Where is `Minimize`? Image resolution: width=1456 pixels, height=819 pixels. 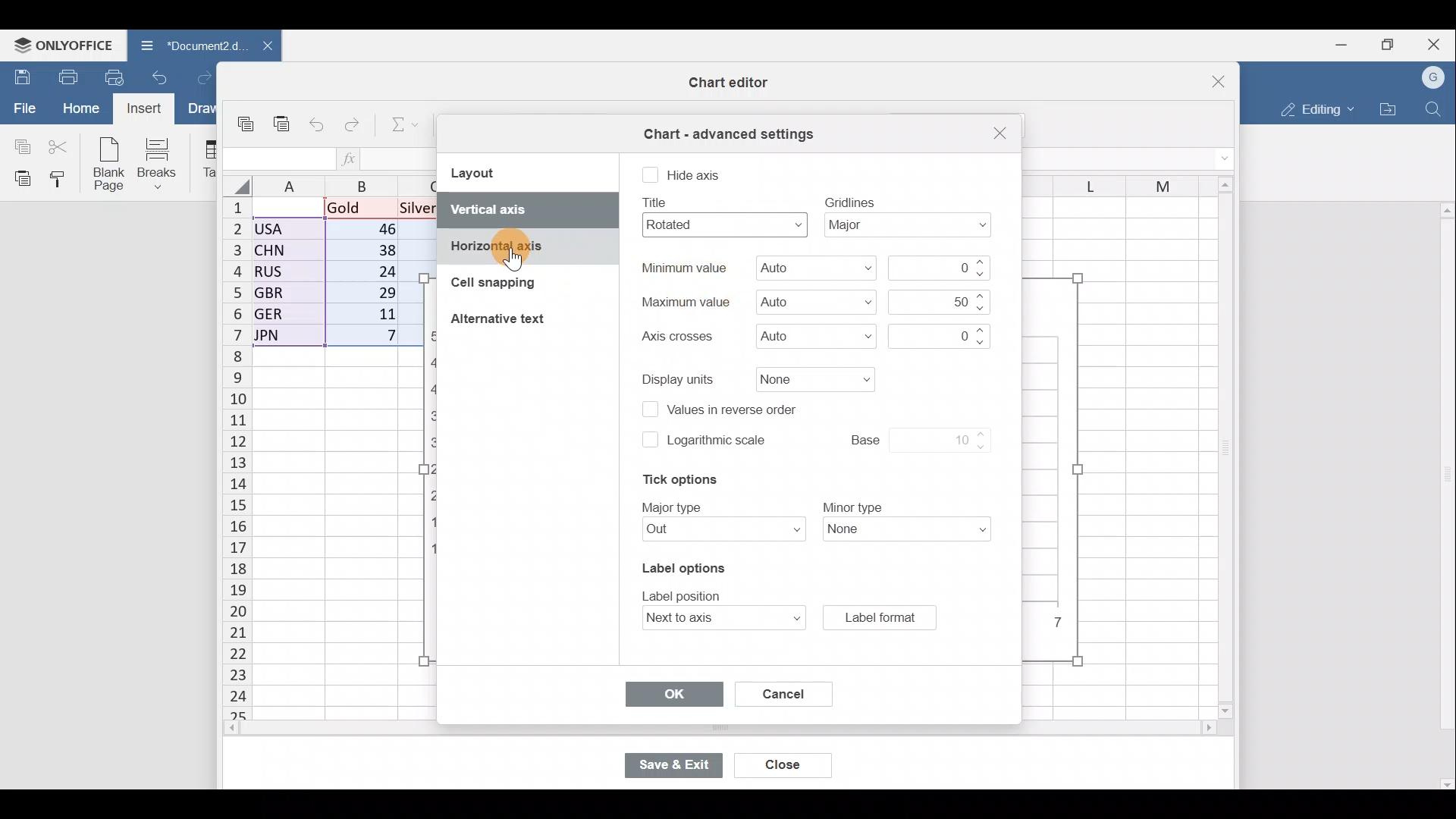 Minimize is located at coordinates (1337, 46).